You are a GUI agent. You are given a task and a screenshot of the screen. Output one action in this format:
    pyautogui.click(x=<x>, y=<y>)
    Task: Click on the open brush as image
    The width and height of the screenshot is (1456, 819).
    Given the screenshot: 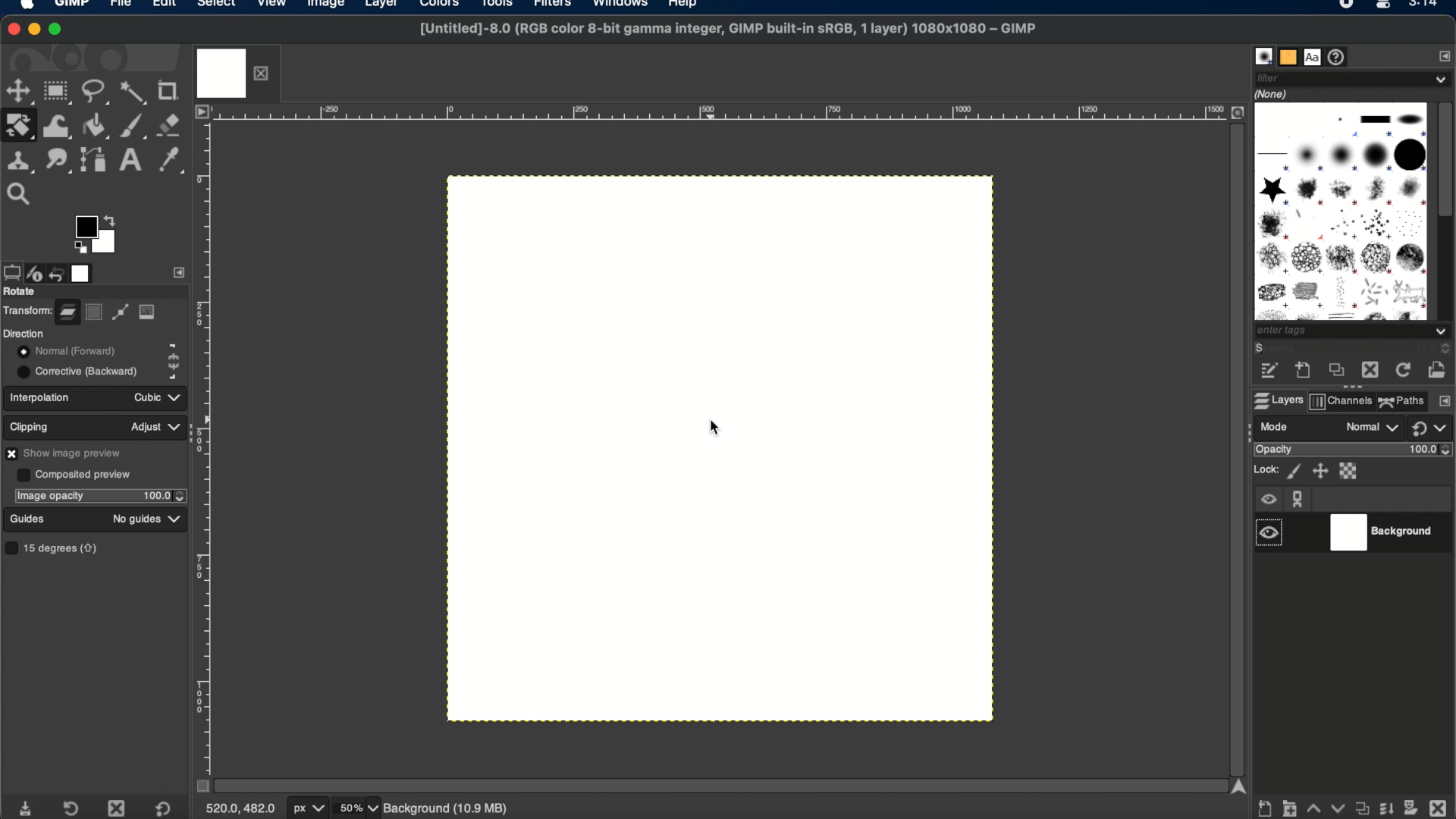 What is the action you would take?
    pyautogui.click(x=1438, y=366)
    